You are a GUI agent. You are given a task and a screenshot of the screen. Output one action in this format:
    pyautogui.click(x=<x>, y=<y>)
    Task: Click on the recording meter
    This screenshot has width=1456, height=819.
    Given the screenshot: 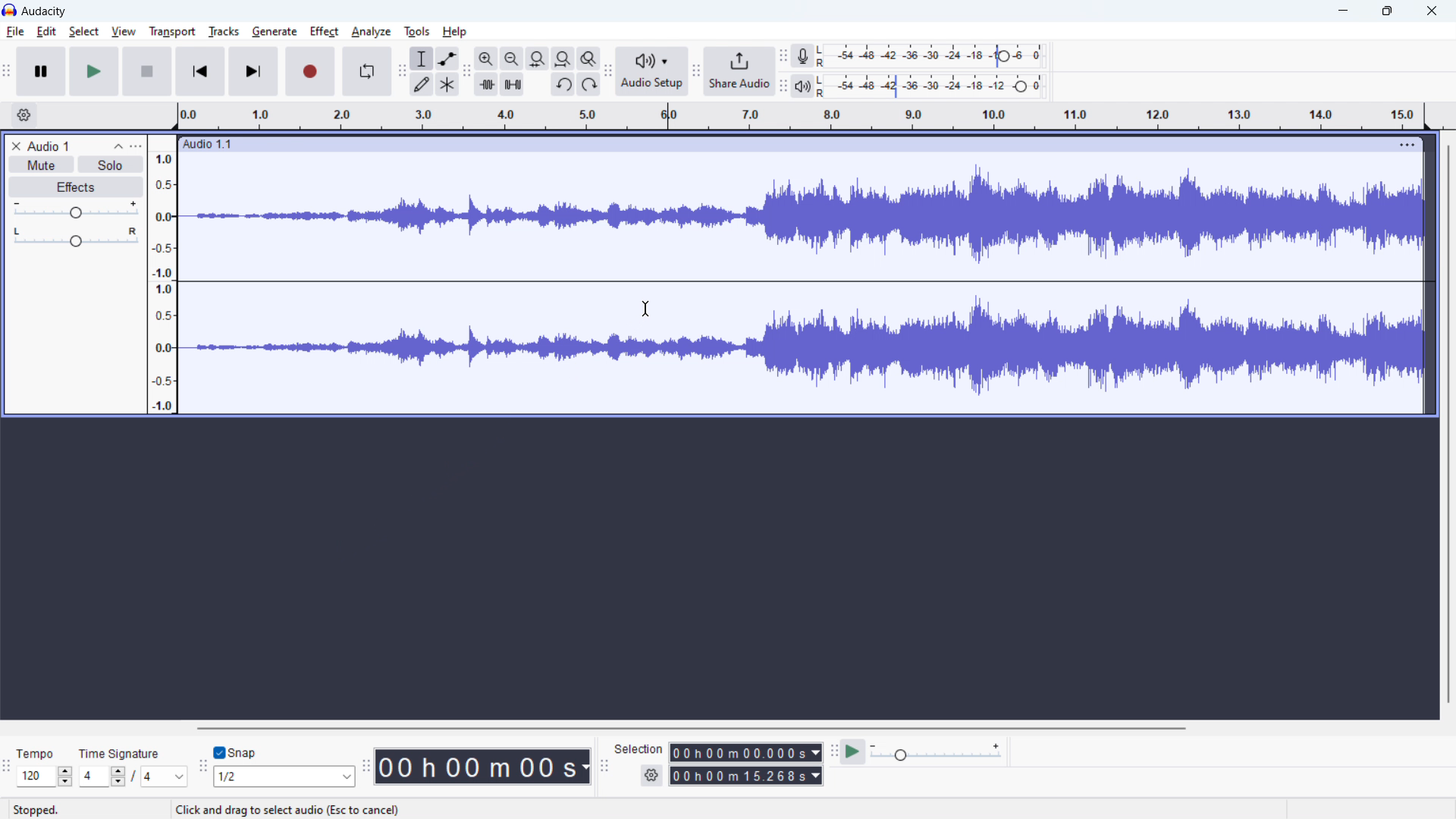 What is the action you would take?
    pyautogui.click(x=808, y=55)
    